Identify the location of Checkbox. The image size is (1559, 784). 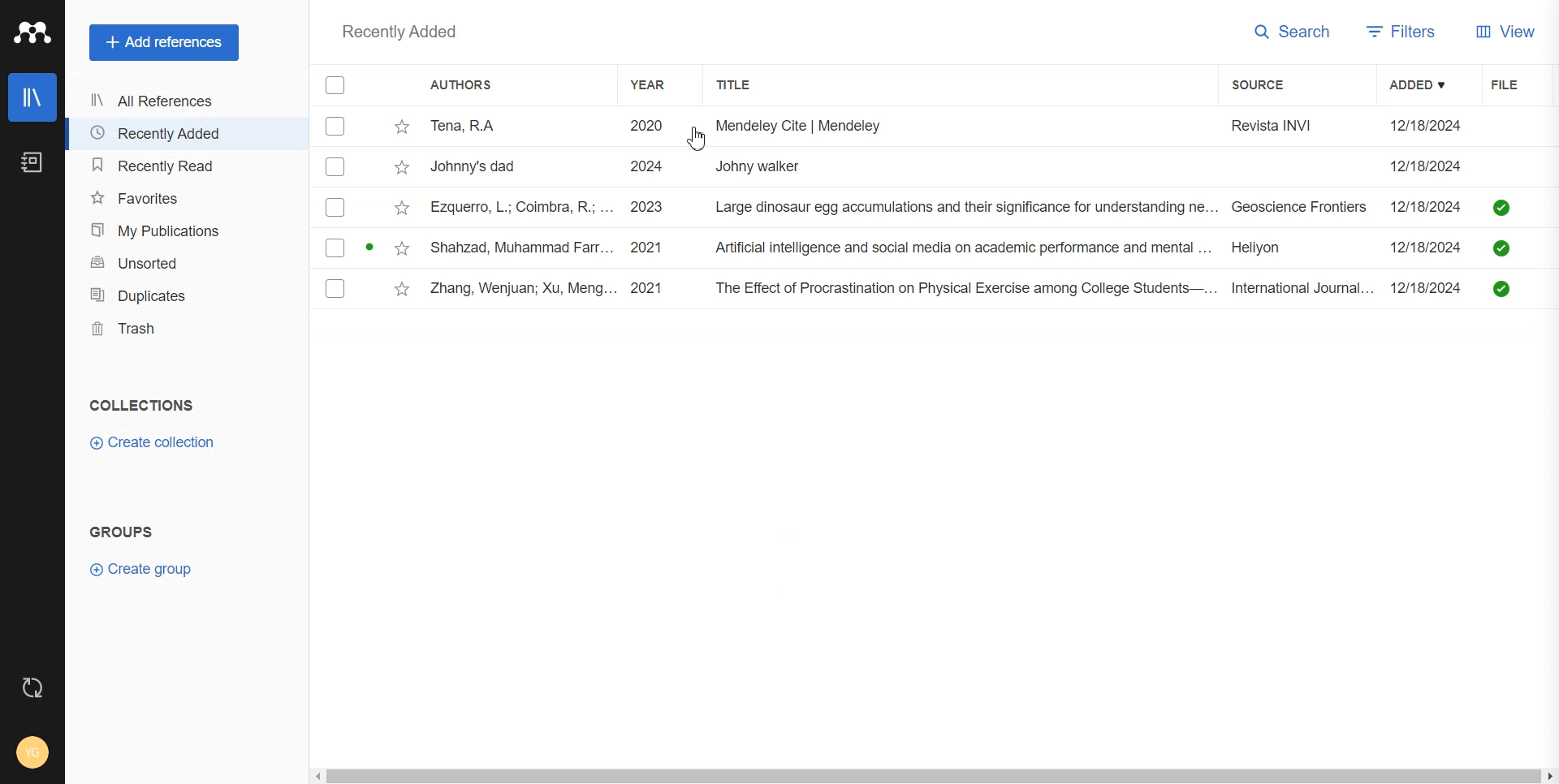
(335, 248).